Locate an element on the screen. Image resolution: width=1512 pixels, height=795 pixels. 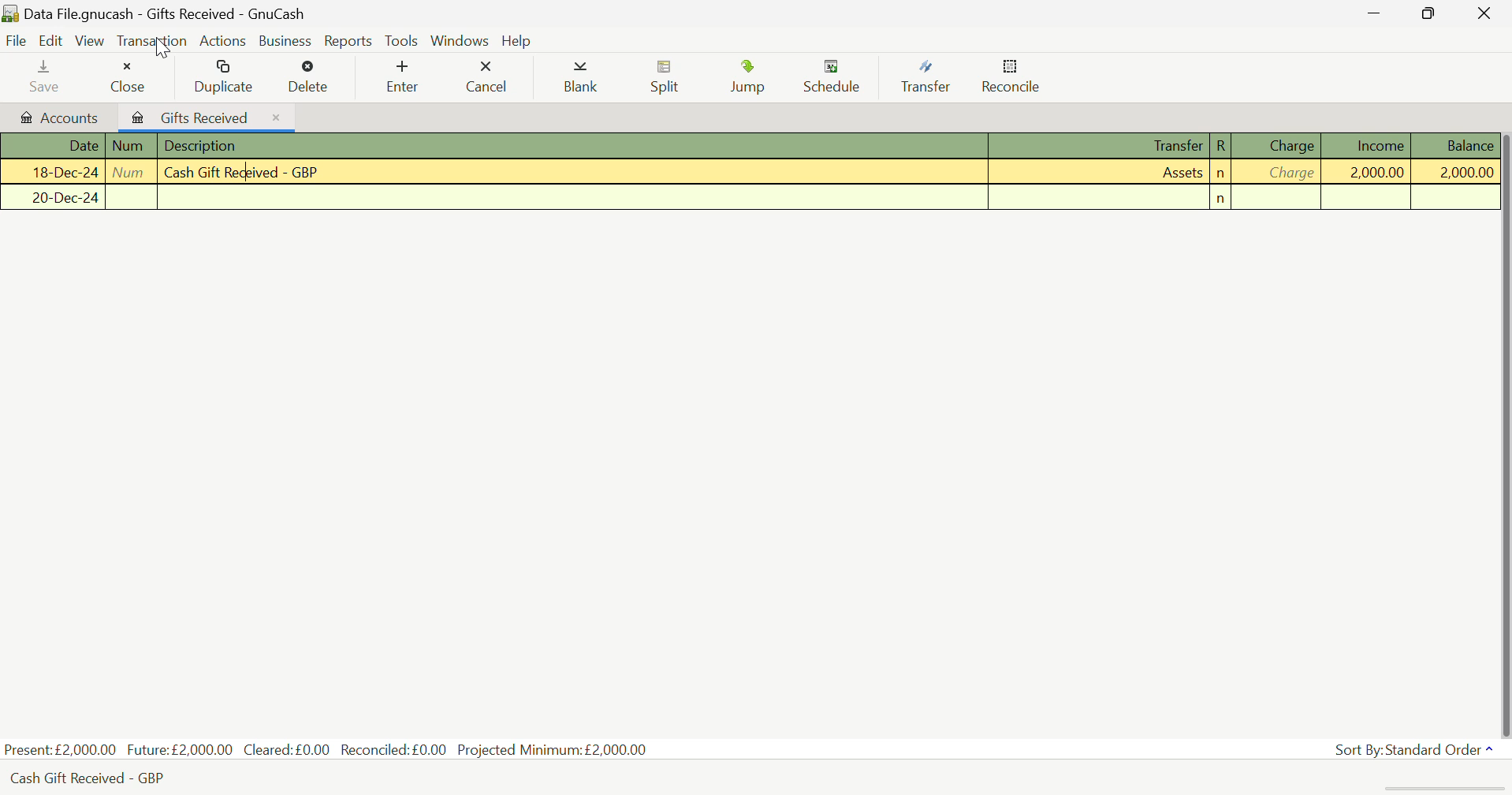
Cash Gift Received - GBP is located at coordinates (99, 778).